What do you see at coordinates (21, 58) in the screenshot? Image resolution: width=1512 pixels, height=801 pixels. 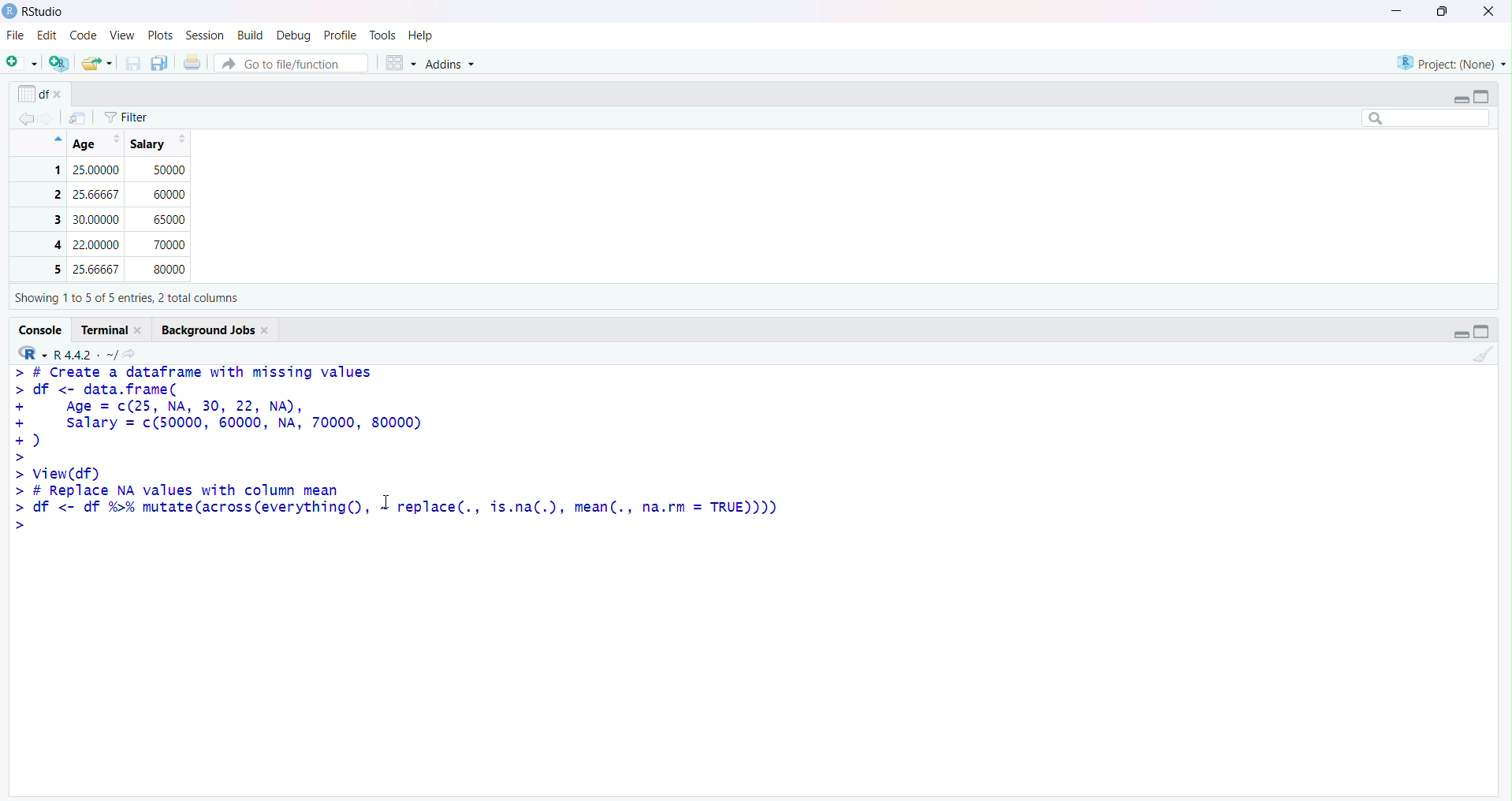 I see `New File` at bounding box center [21, 58].